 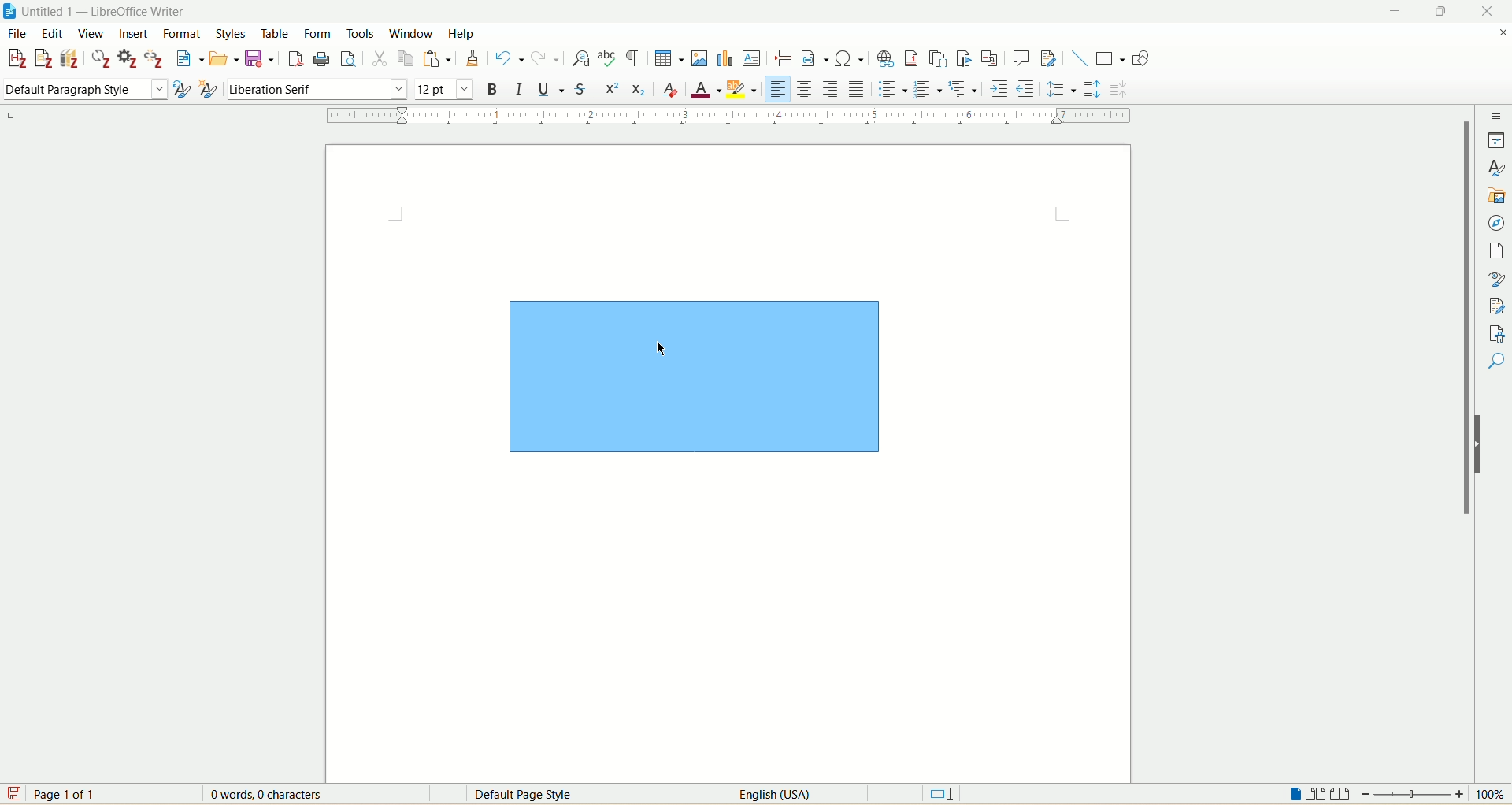 What do you see at coordinates (438, 58) in the screenshot?
I see `paste` at bounding box center [438, 58].